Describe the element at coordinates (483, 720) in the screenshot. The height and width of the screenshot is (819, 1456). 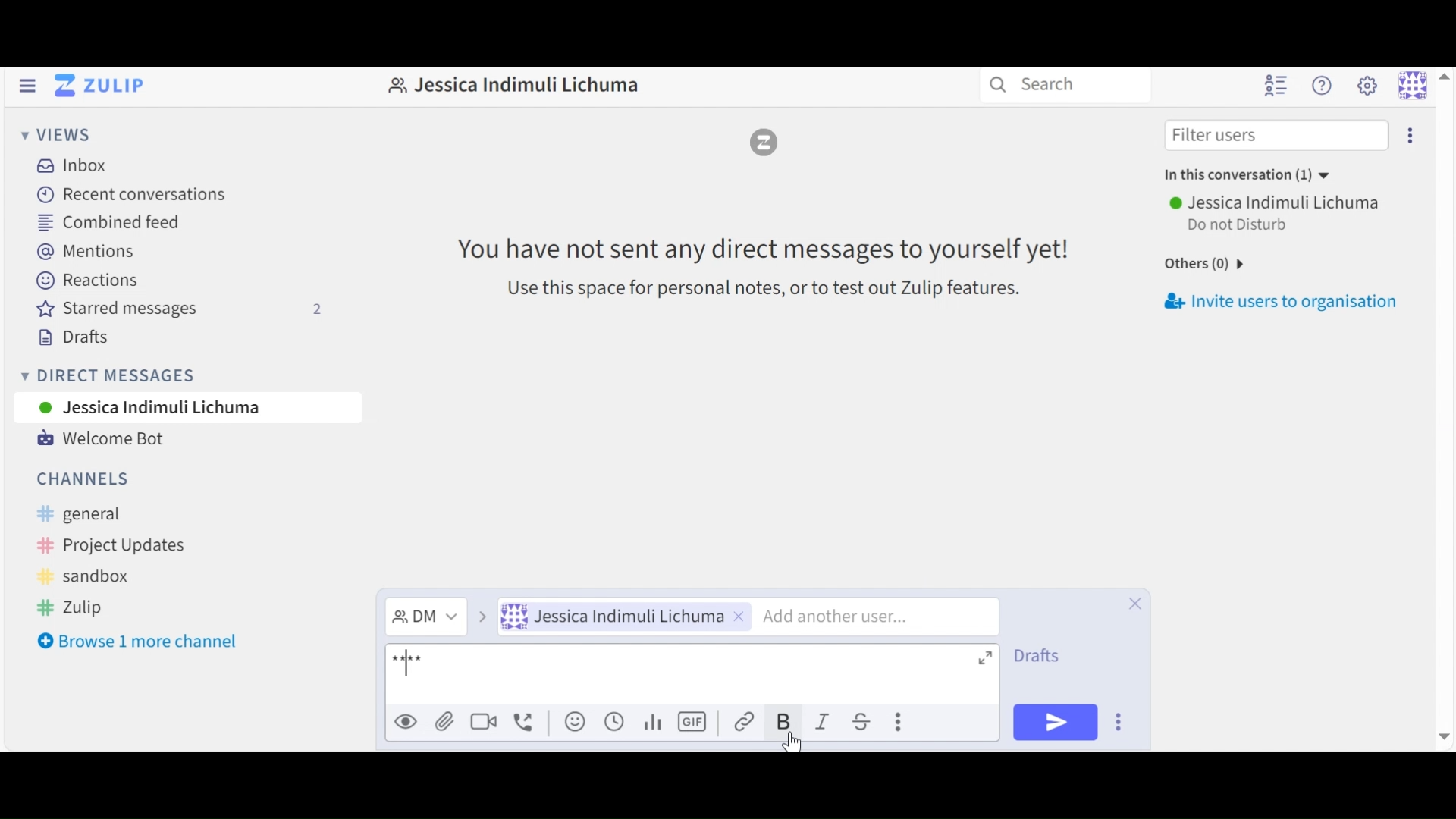
I see `Add a video call` at that location.